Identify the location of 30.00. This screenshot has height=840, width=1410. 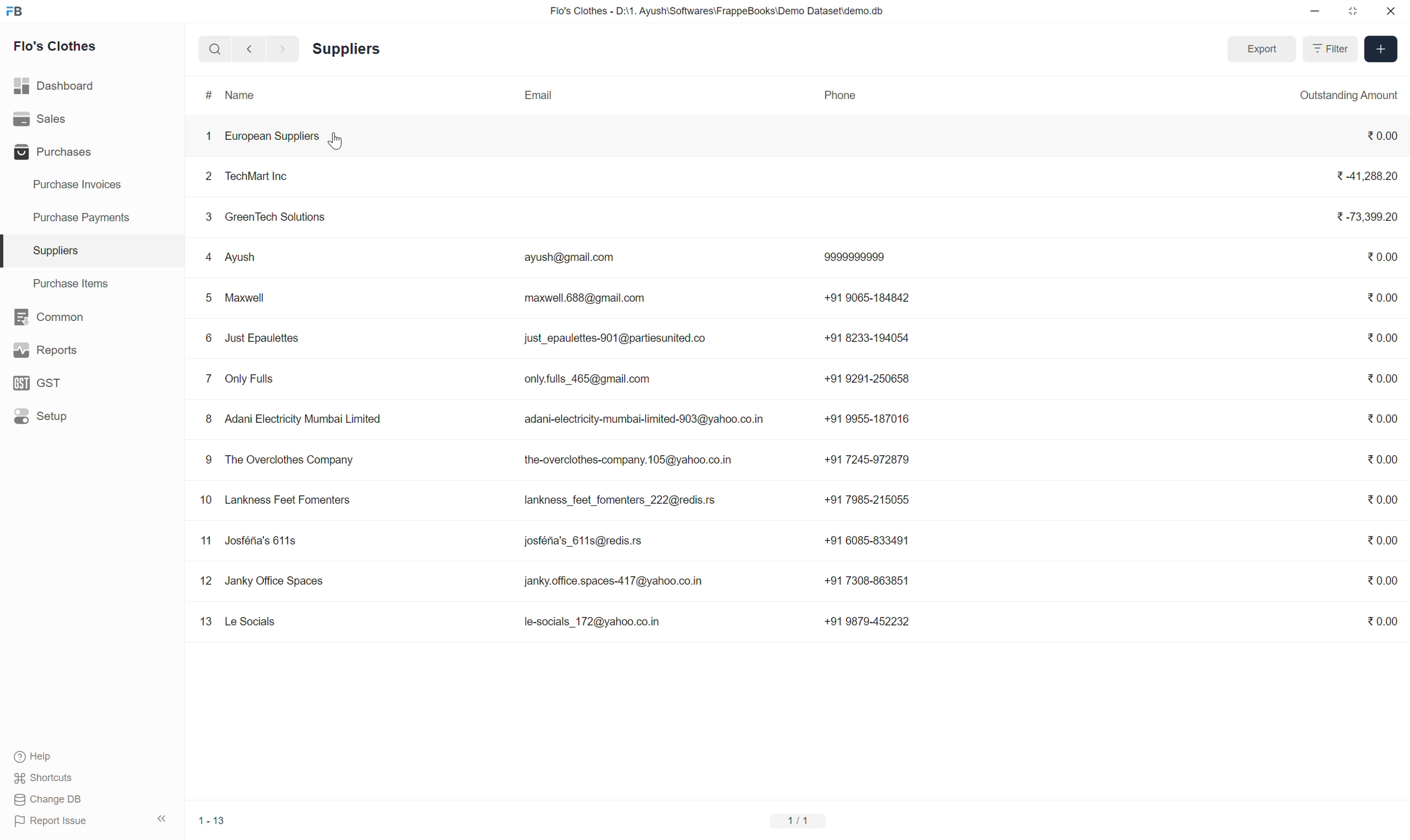
(1370, 418).